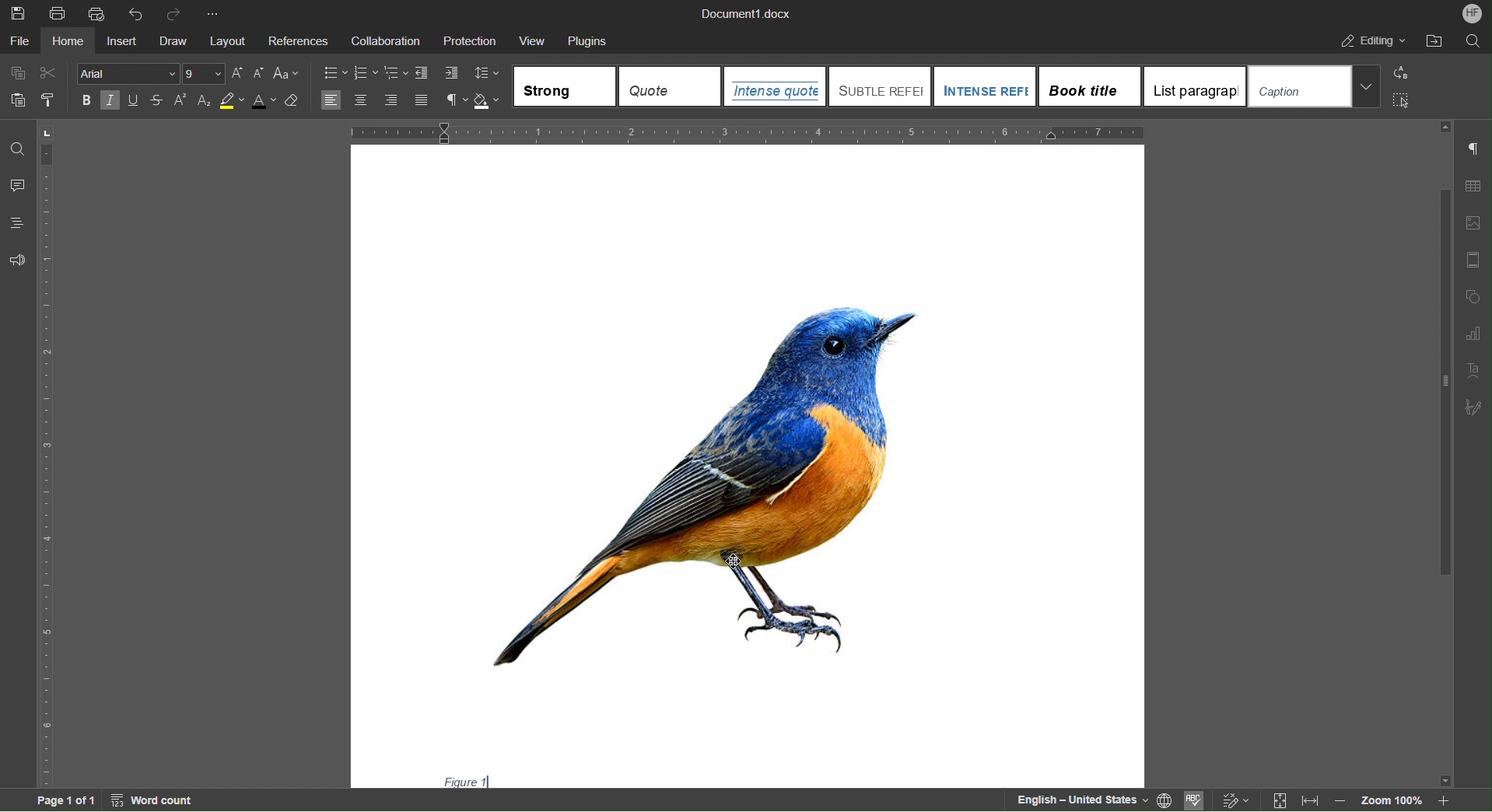 This screenshot has height=812, width=1492. What do you see at coordinates (451, 75) in the screenshot?
I see `Increase Indent` at bounding box center [451, 75].